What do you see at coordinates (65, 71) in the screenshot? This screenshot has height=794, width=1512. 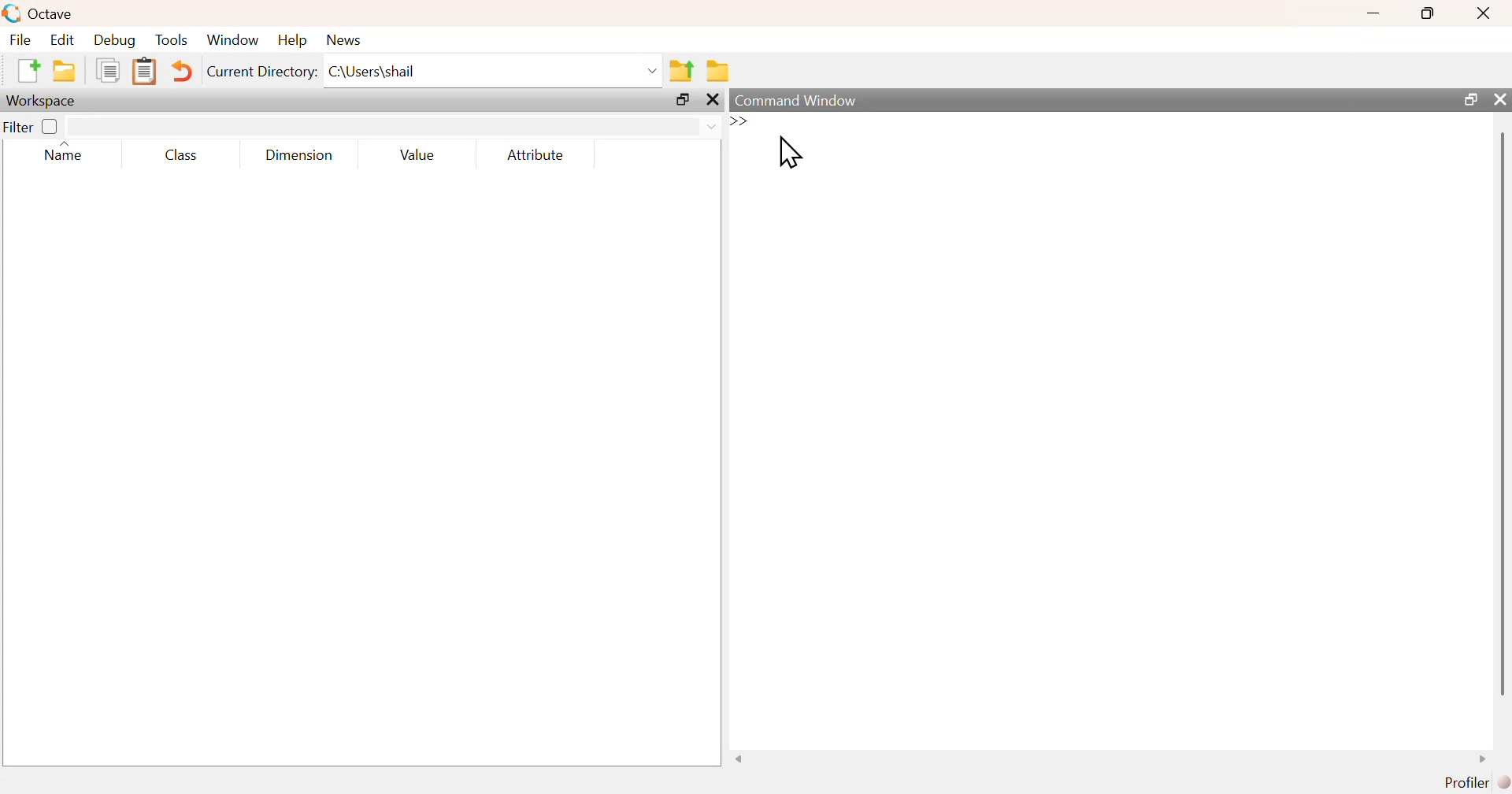 I see `New Folder` at bounding box center [65, 71].